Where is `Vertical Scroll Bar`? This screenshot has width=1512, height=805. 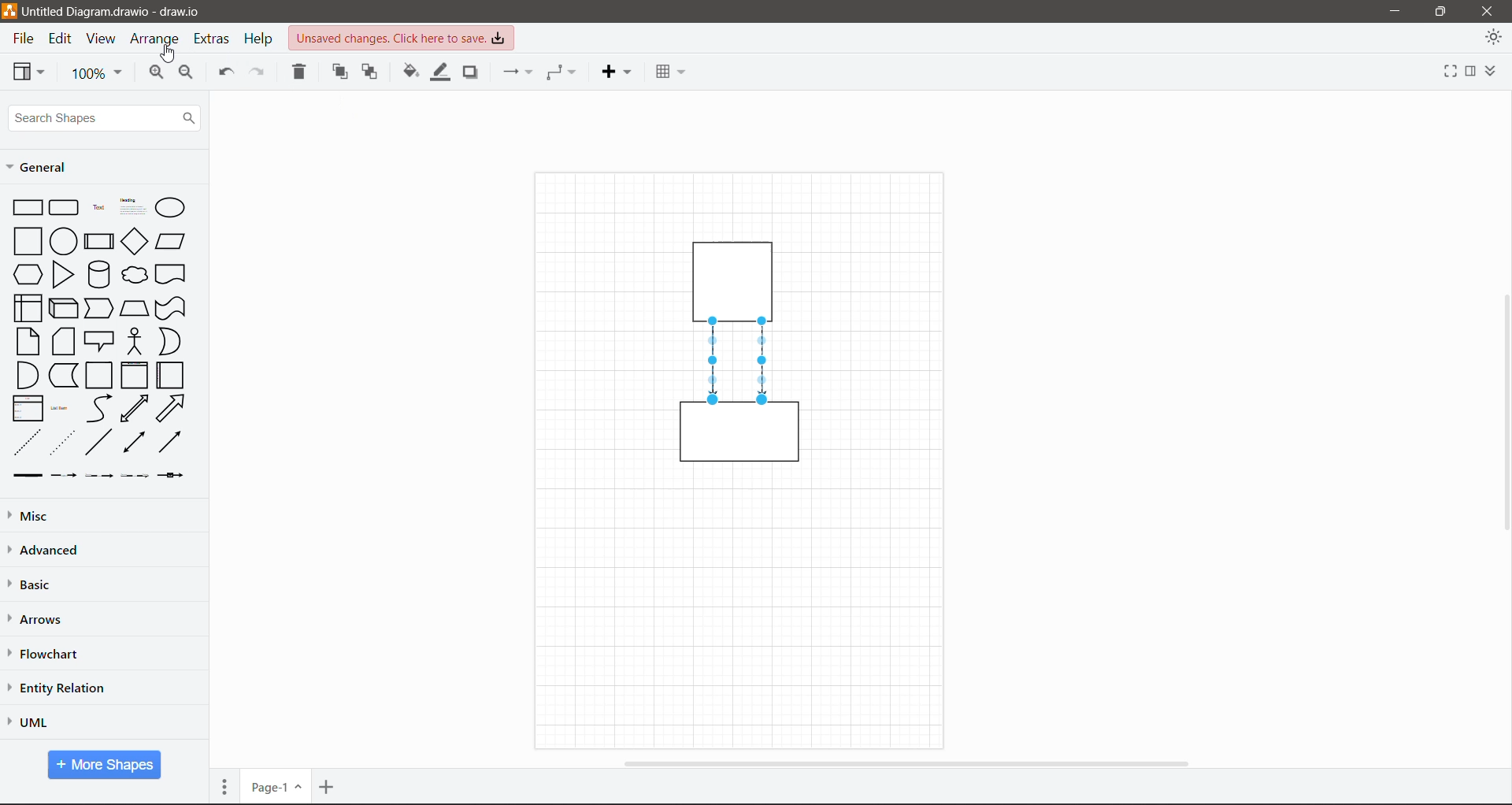 Vertical Scroll Bar is located at coordinates (1502, 412).